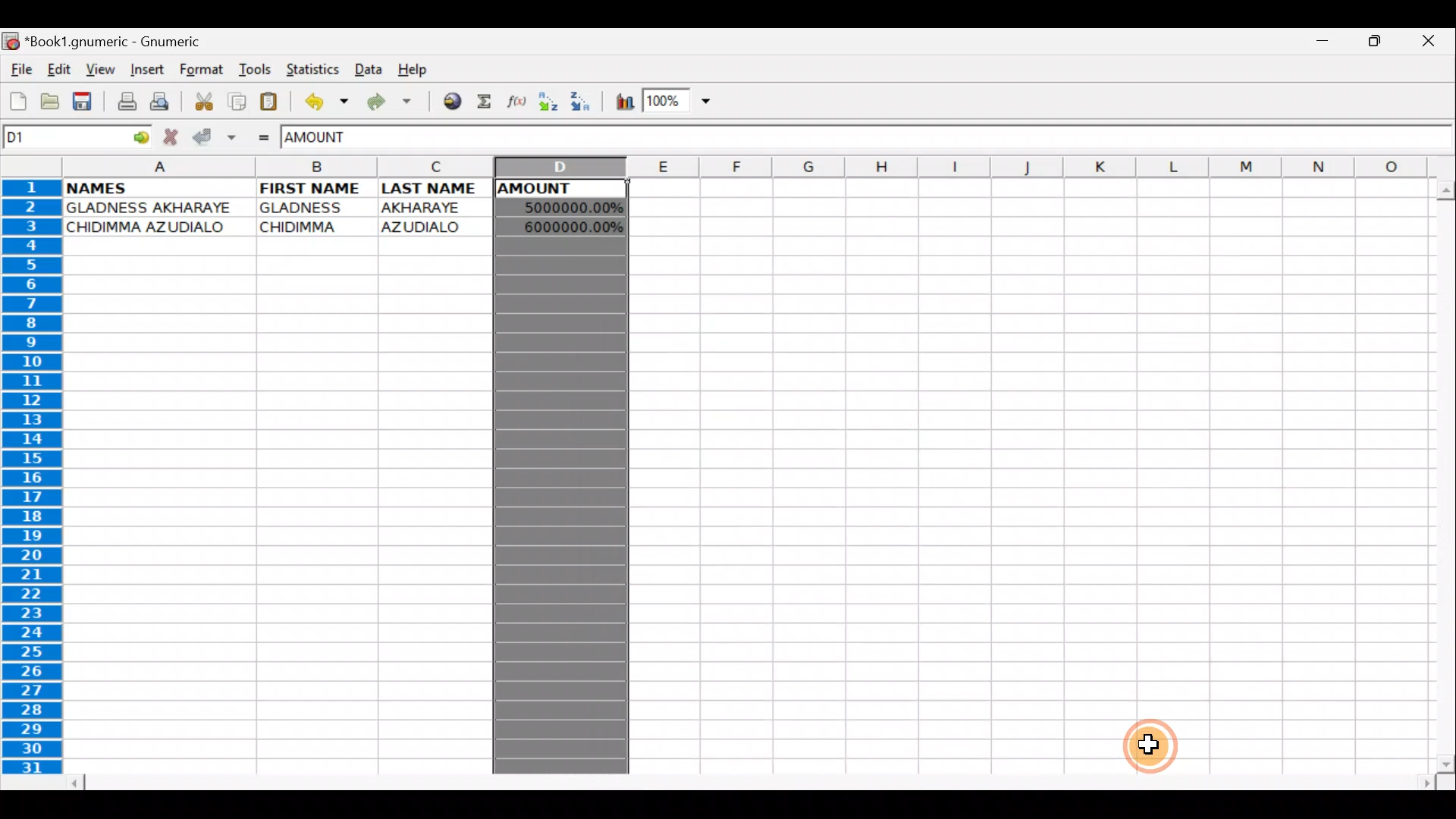 The width and height of the screenshot is (1456, 819). I want to click on Paste clipboard, so click(271, 100).